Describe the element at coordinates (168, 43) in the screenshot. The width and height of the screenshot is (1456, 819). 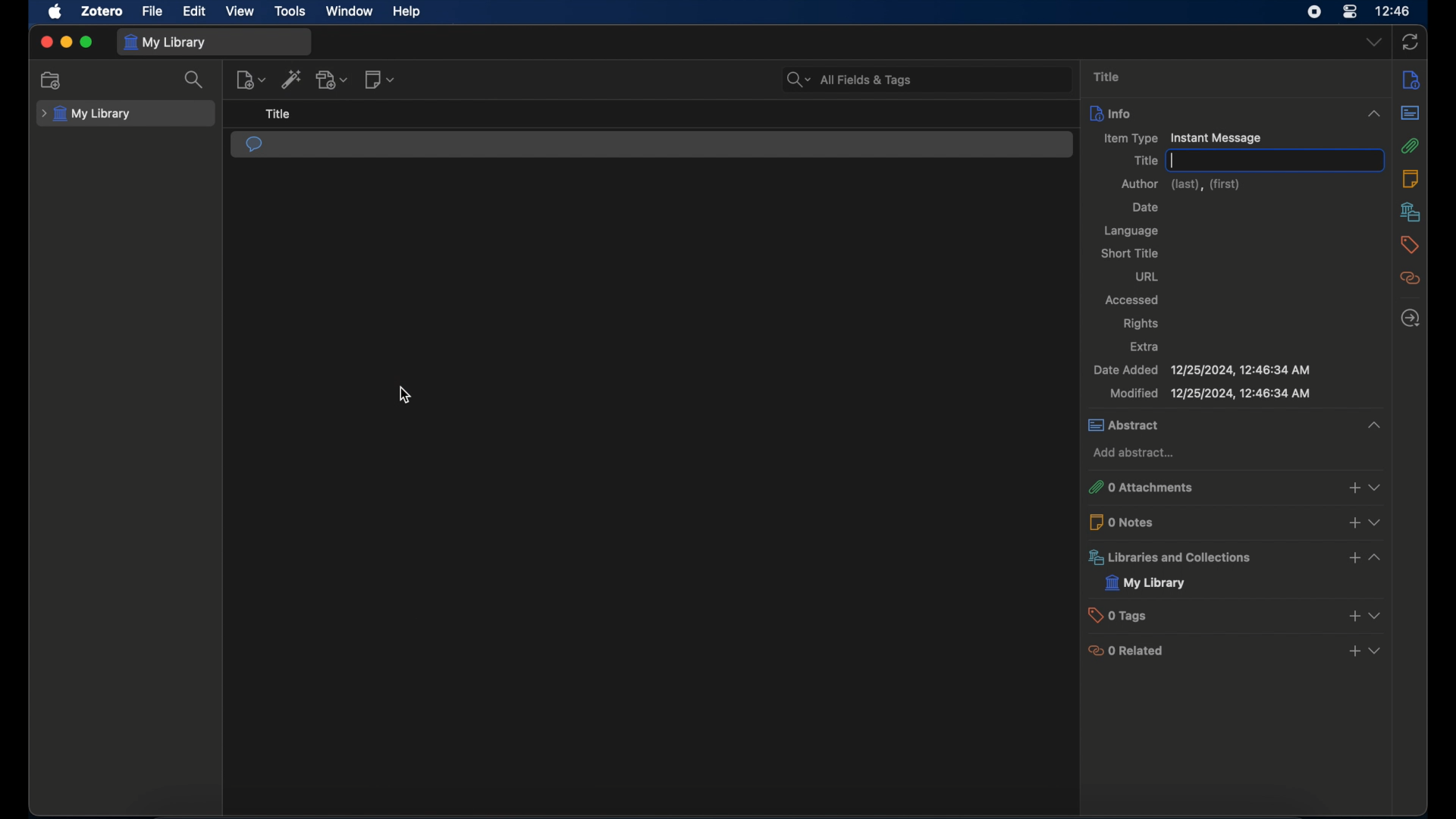
I see `my library` at that location.